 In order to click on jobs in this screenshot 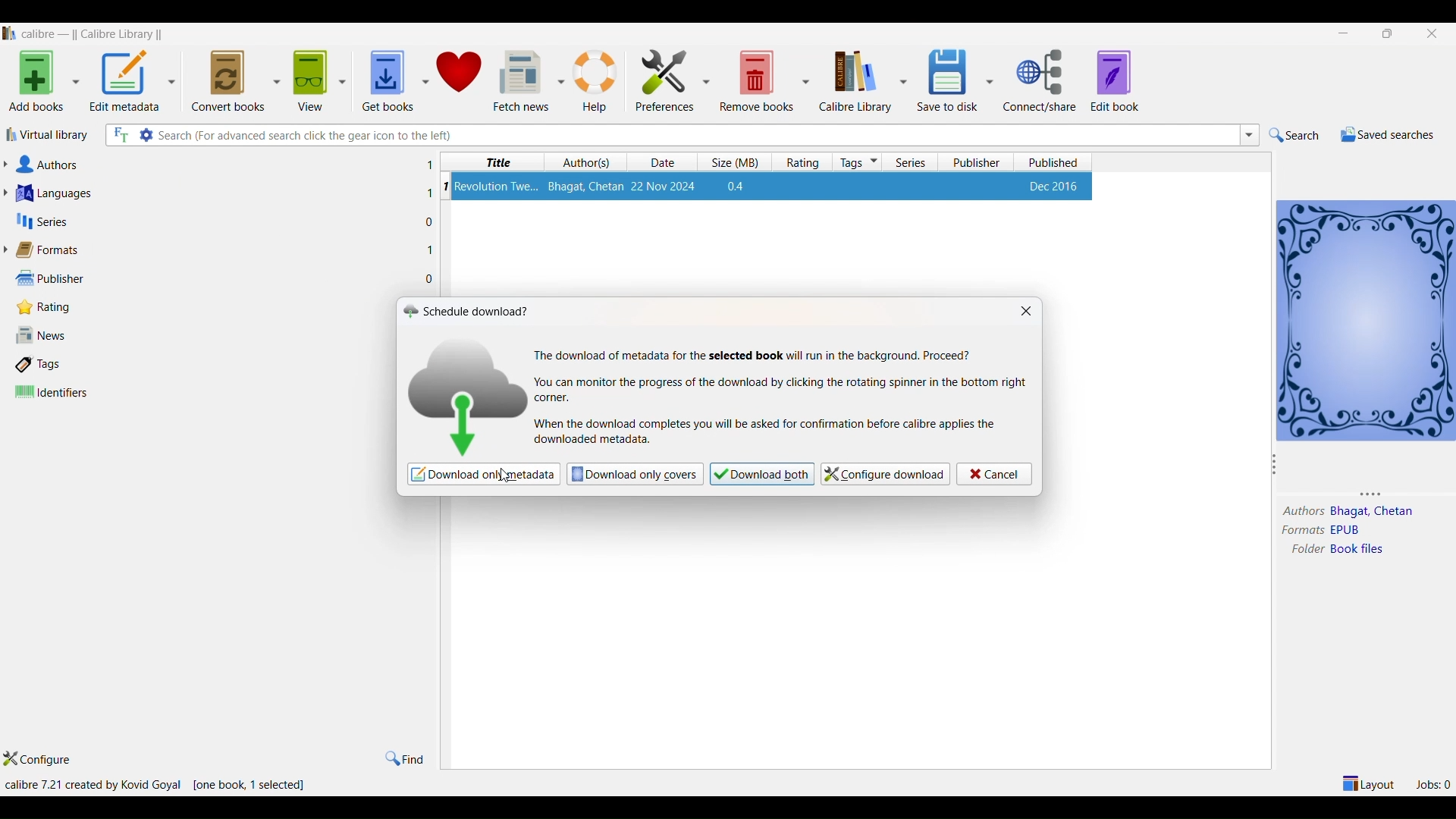, I will do `click(1429, 783)`.